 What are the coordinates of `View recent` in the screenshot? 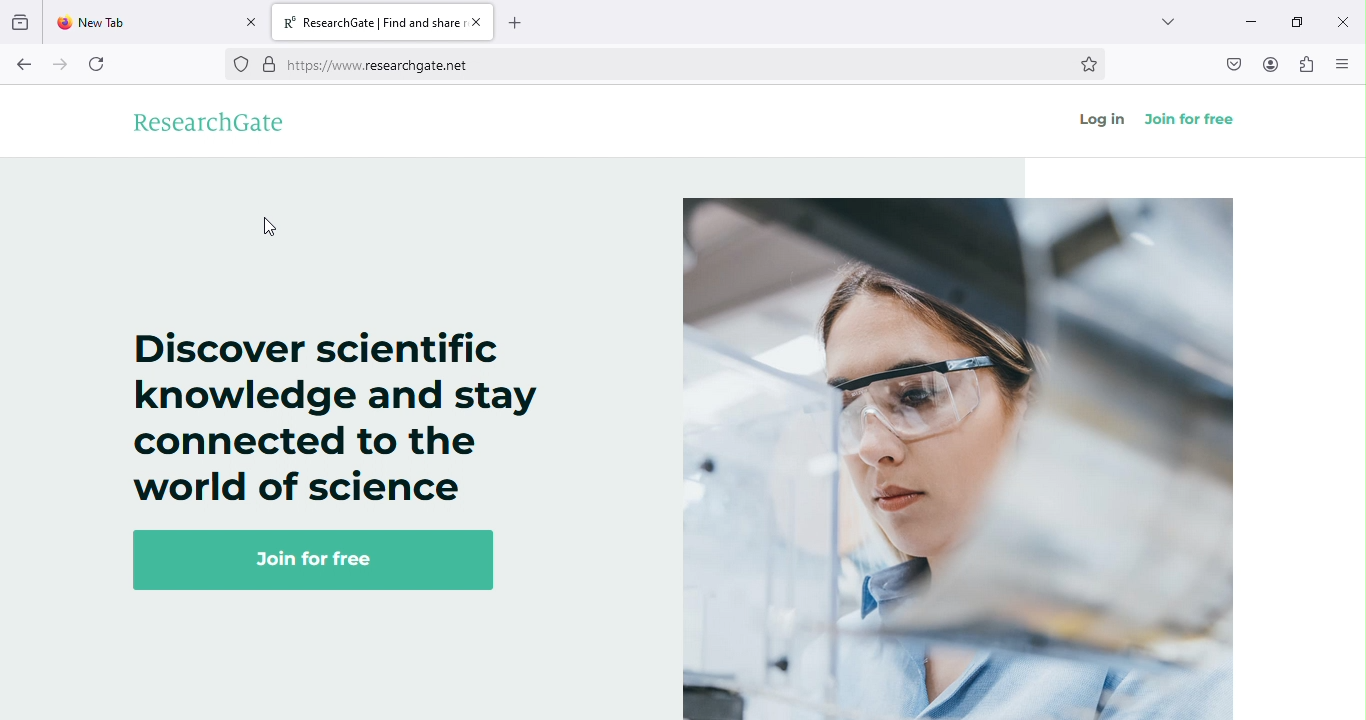 It's located at (21, 23).